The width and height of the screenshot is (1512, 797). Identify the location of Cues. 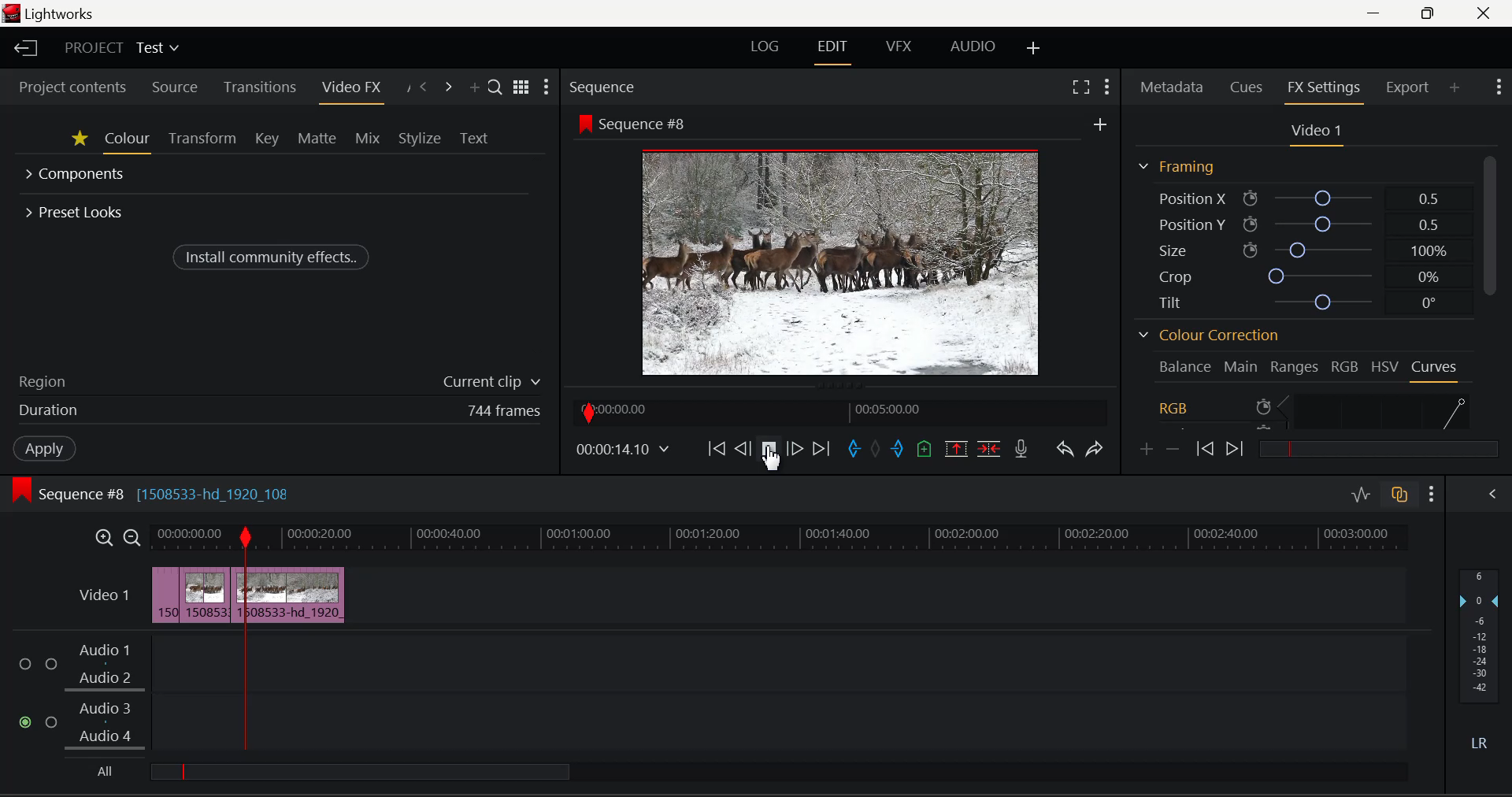
(1247, 87).